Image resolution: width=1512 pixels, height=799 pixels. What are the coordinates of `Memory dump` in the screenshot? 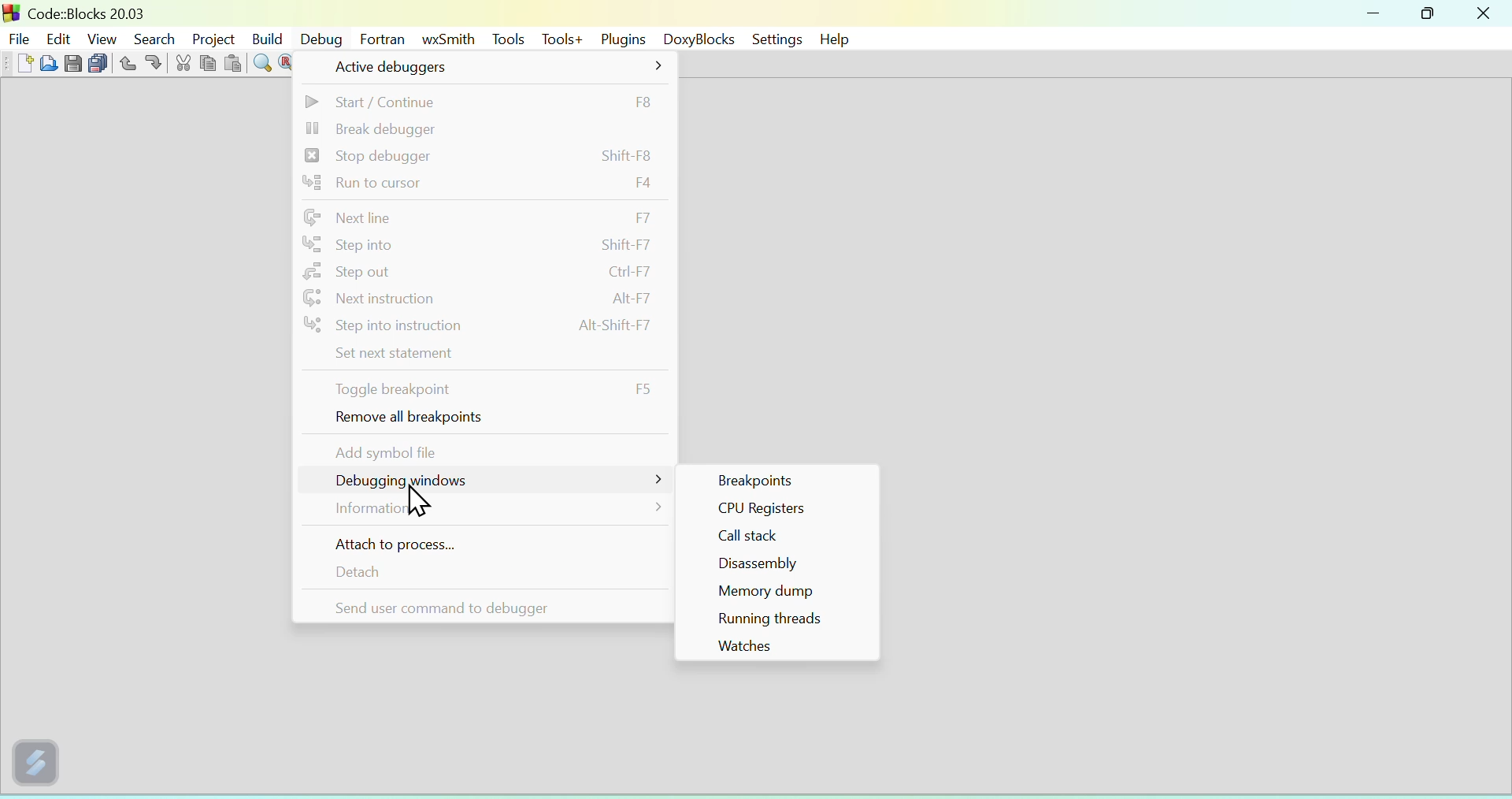 It's located at (776, 593).